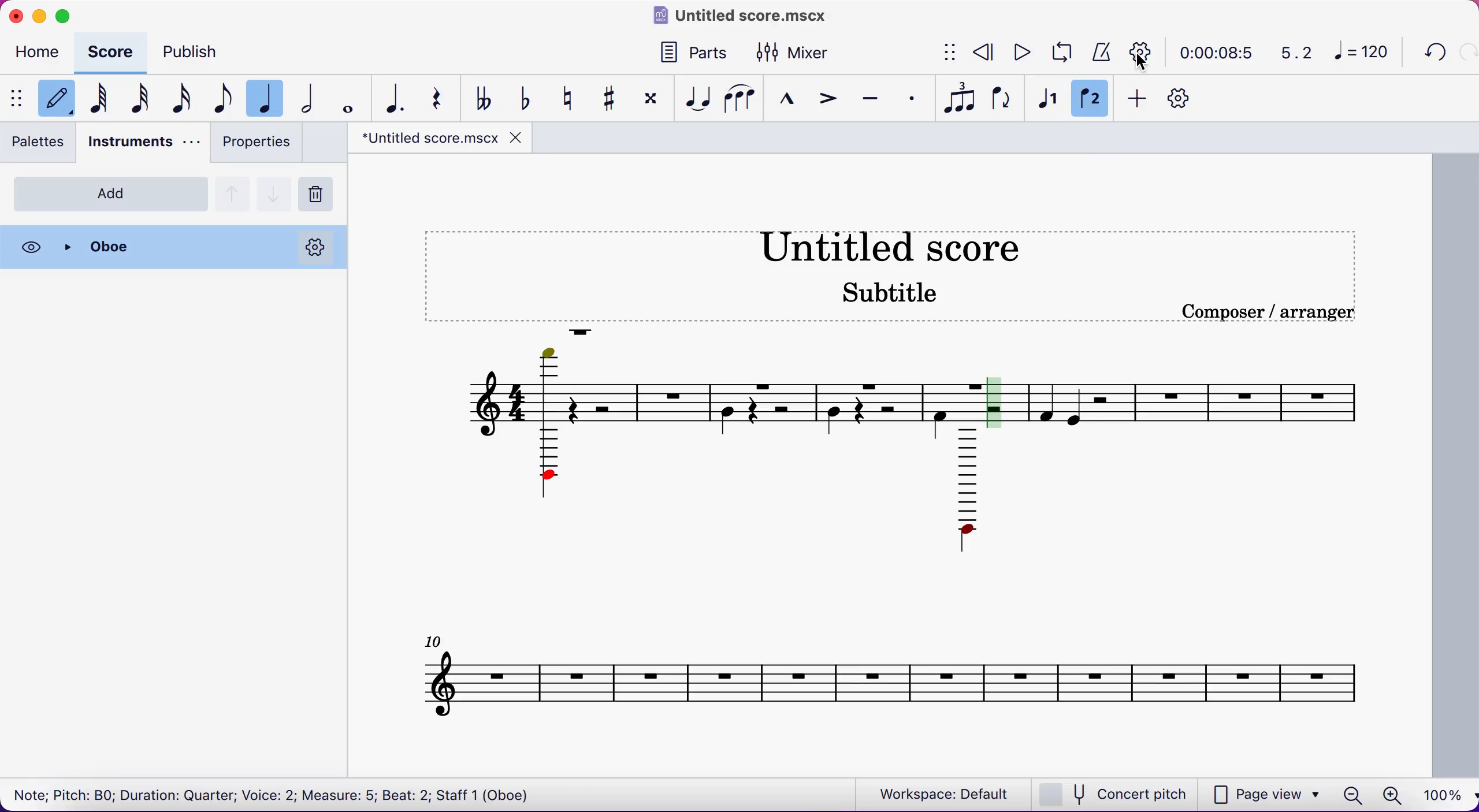 The image size is (1479, 812). Describe the element at coordinates (42, 145) in the screenshot. I see `palettes` at that location.